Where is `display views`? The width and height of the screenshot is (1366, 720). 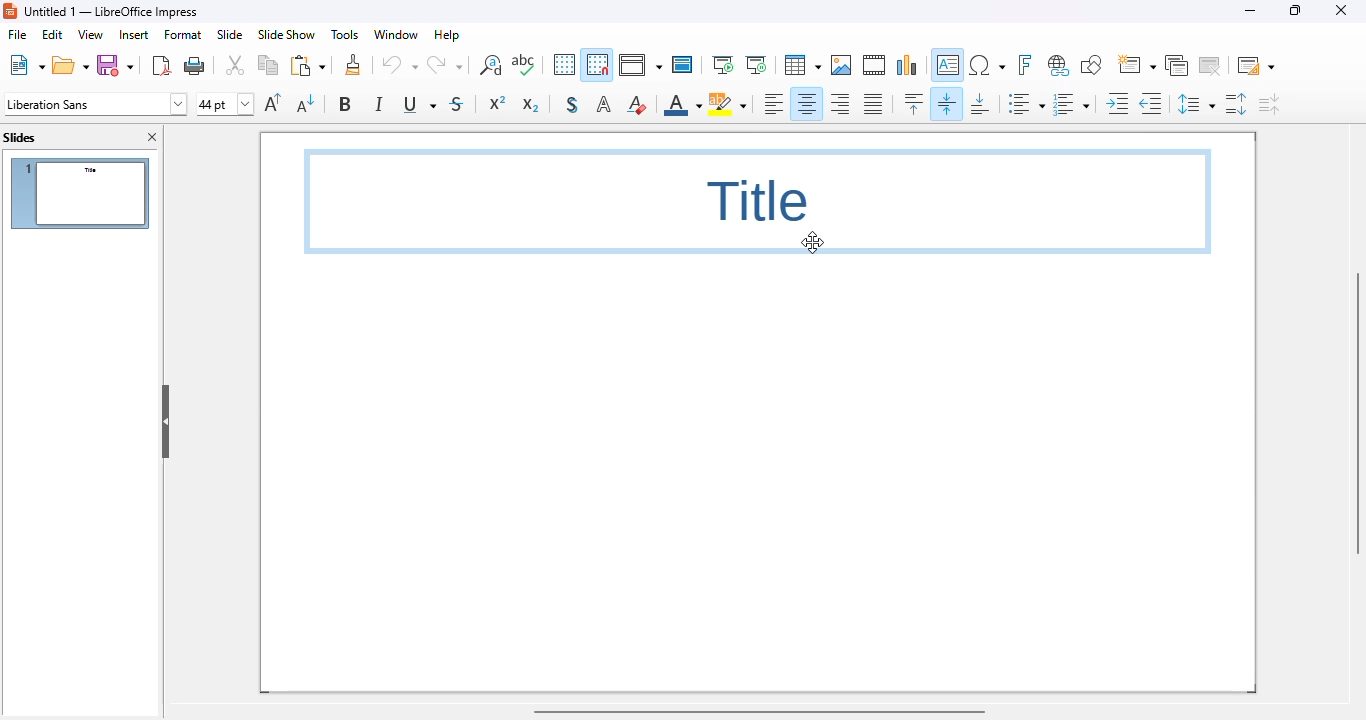
display views is located at coordinates (639, 65).